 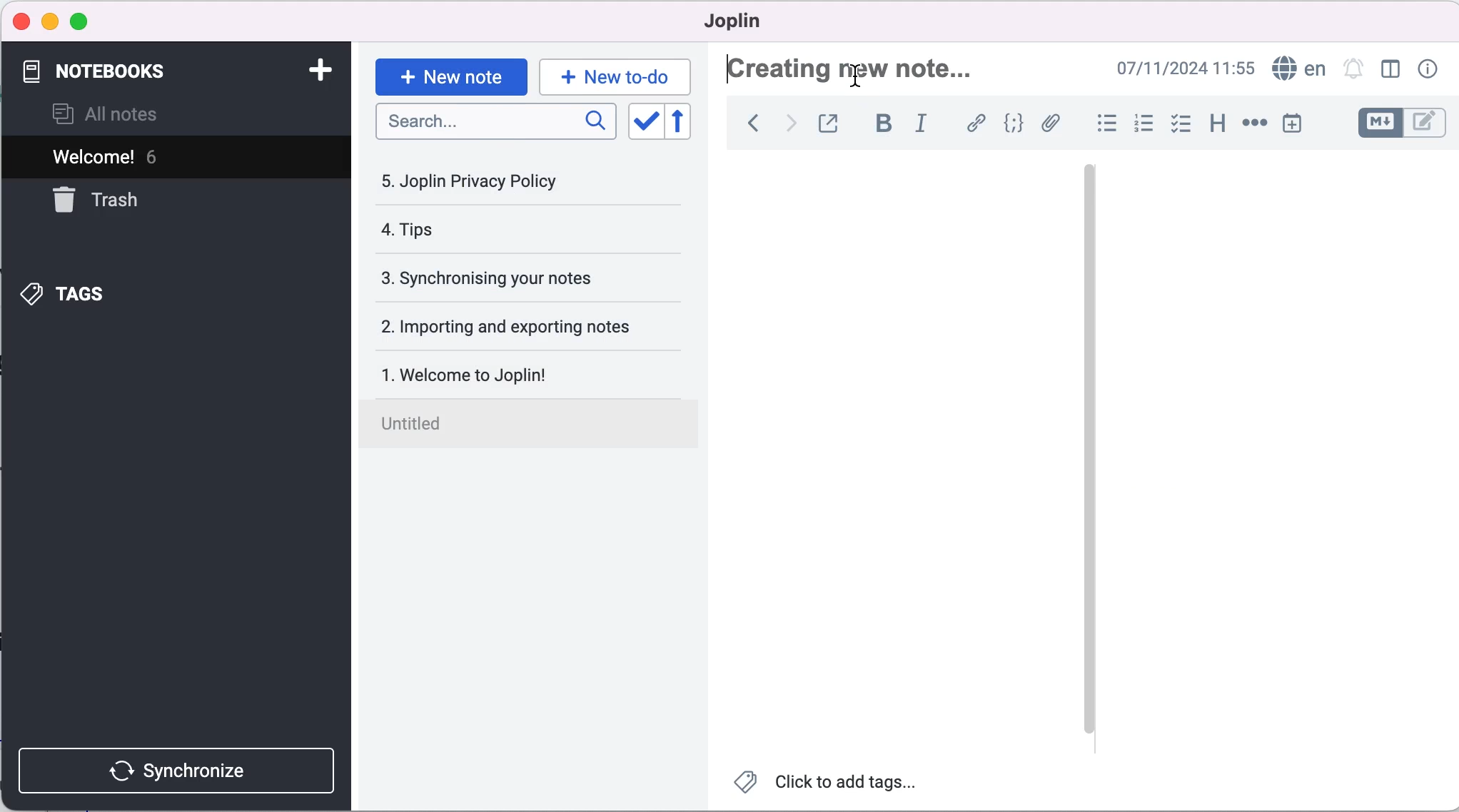 I want to click on click to add tags, so click(x=832, y=785).